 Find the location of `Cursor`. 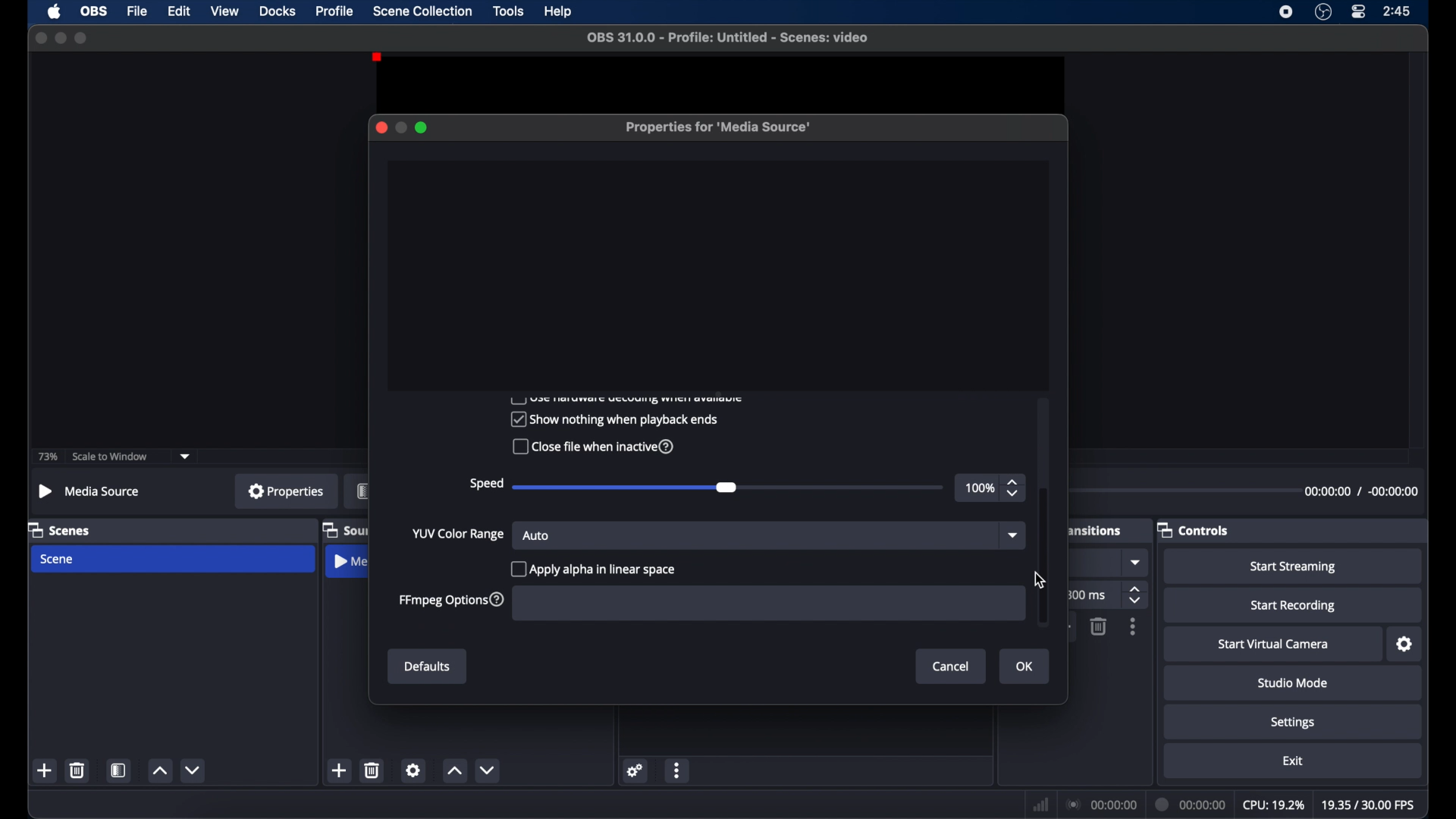

Cursor is located at coordinates (1036, 582).